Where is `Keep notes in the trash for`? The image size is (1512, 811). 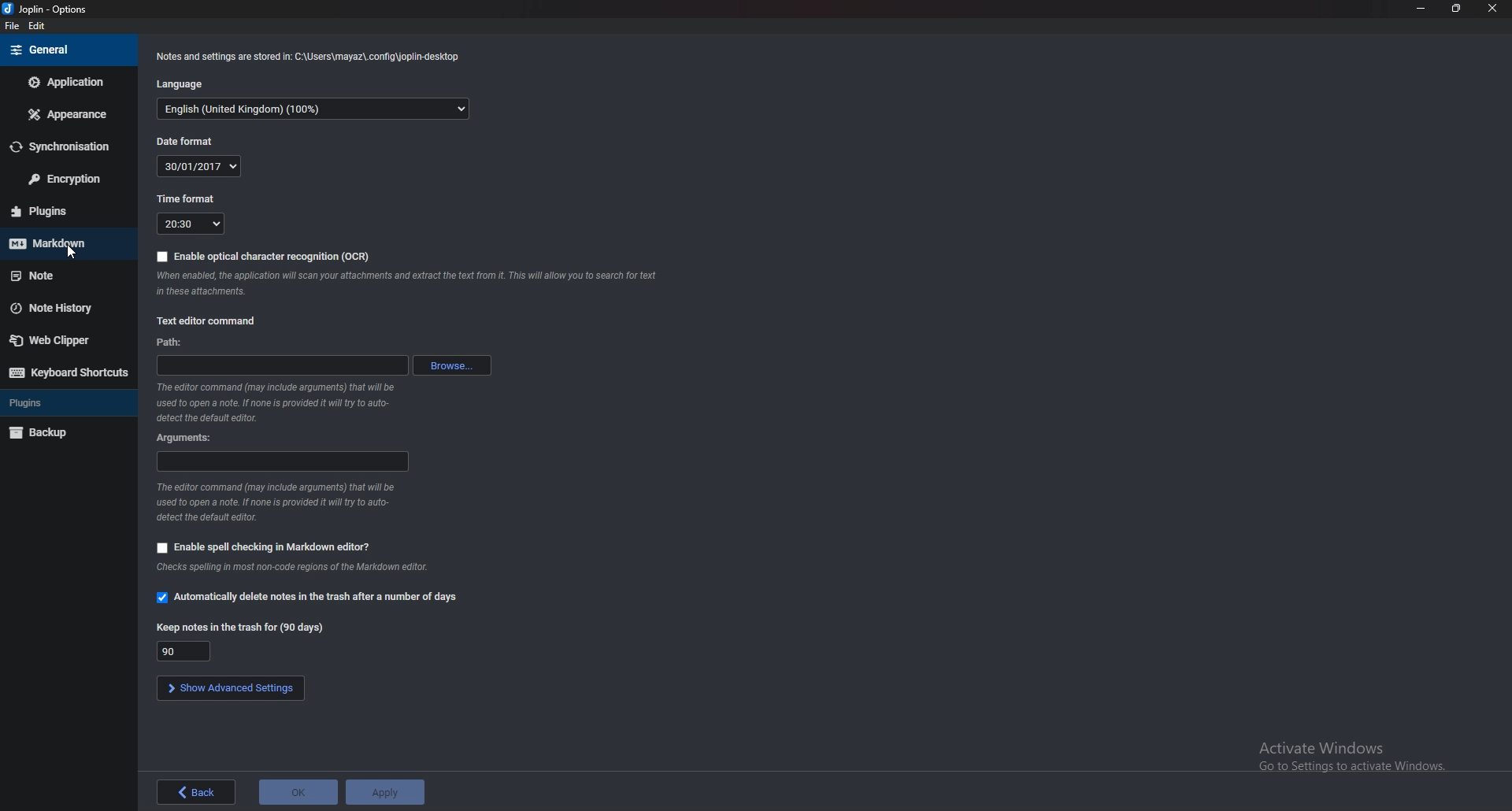
Keep notes in the trash for is located at coordinates (242, 628).